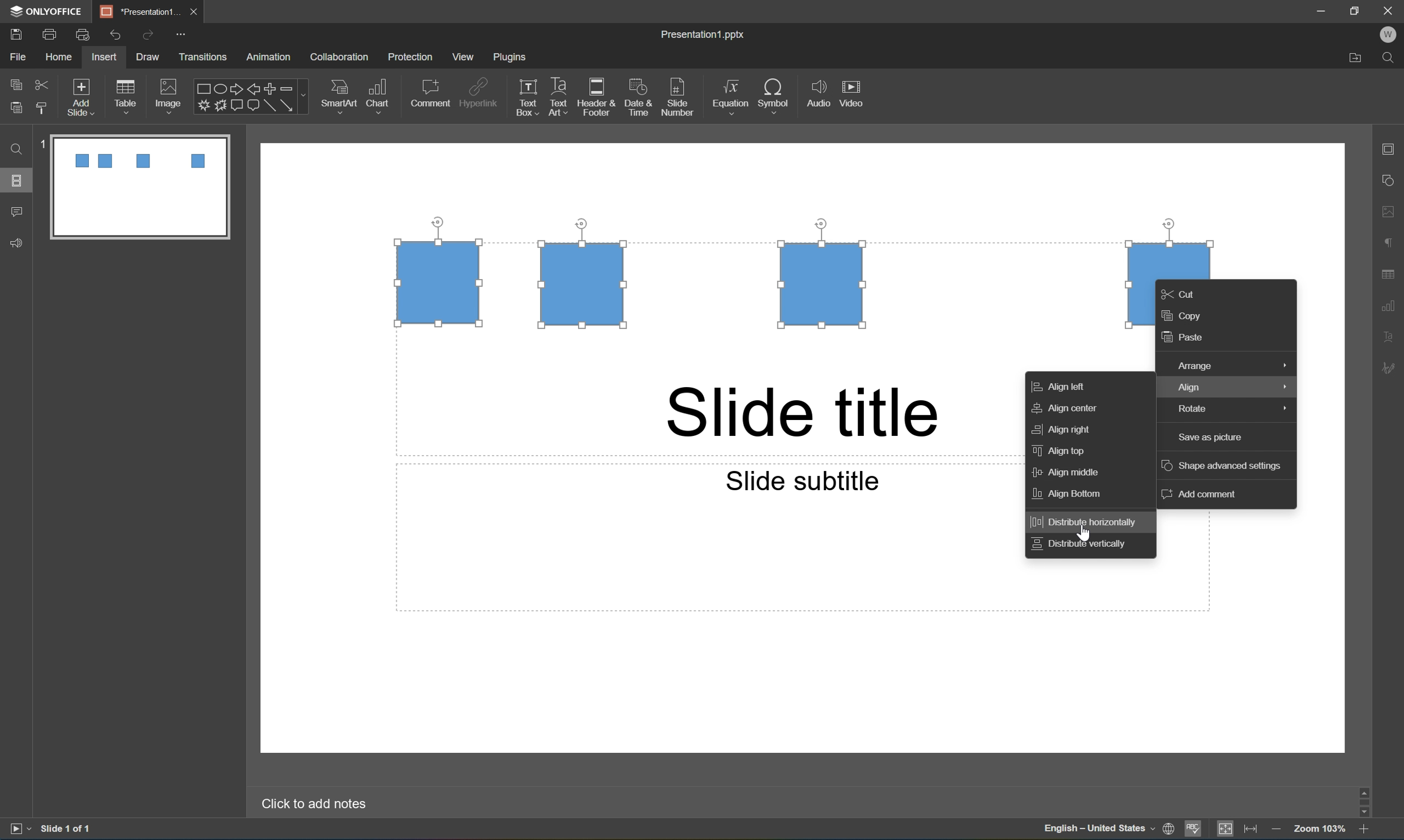 This screenshot has width=1404, height=840. What do you see at coordinates (1069, 496) in the screenshot?
I see `Align bottom` at bounding box center [1069, 496].